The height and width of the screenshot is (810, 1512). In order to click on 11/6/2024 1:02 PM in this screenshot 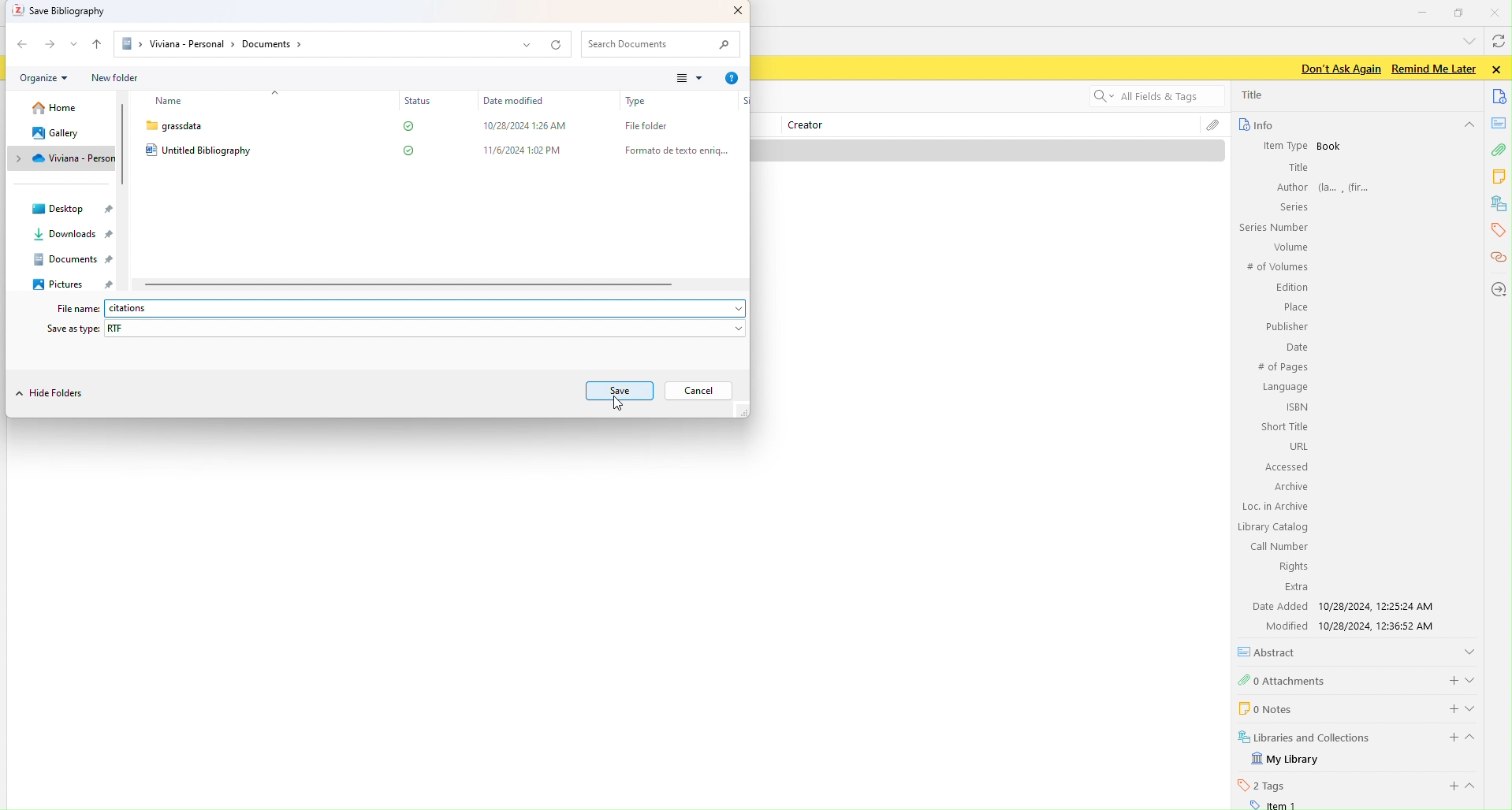, I will do `click(525, 150)`.